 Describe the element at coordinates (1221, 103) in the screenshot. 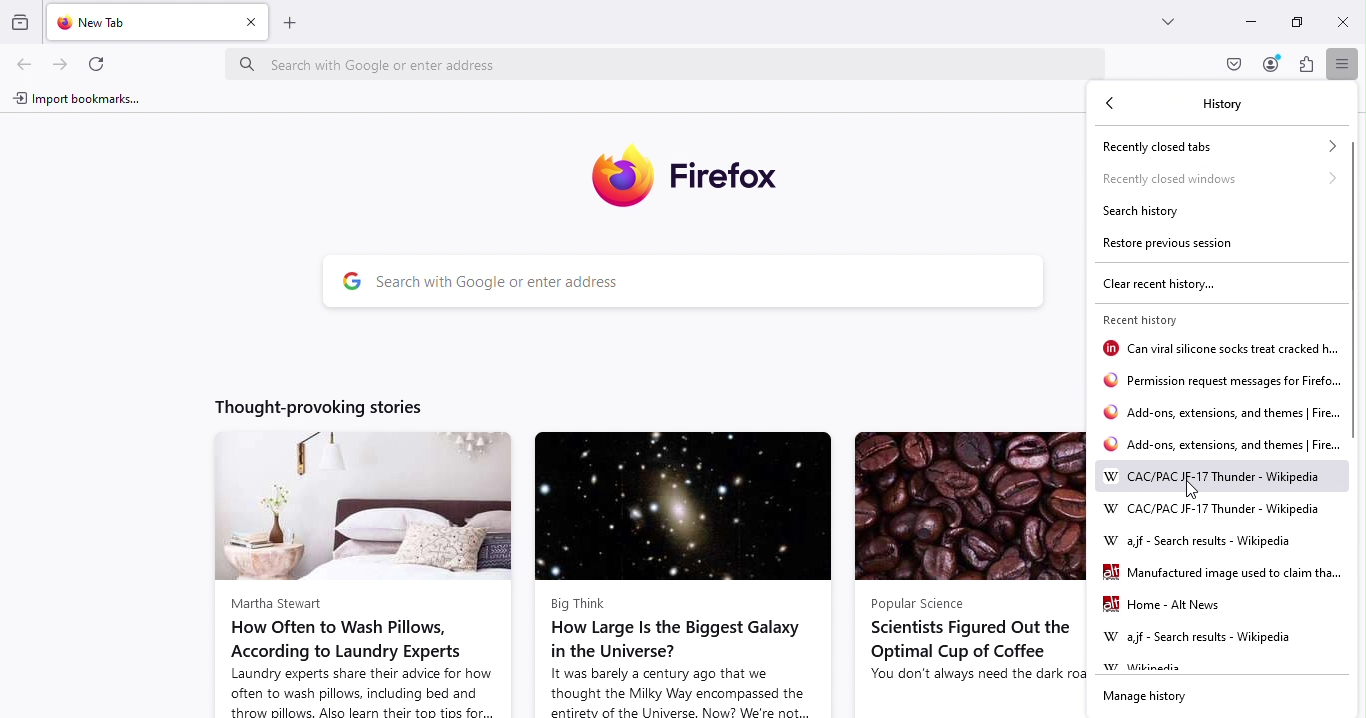

I see `History` at that location.